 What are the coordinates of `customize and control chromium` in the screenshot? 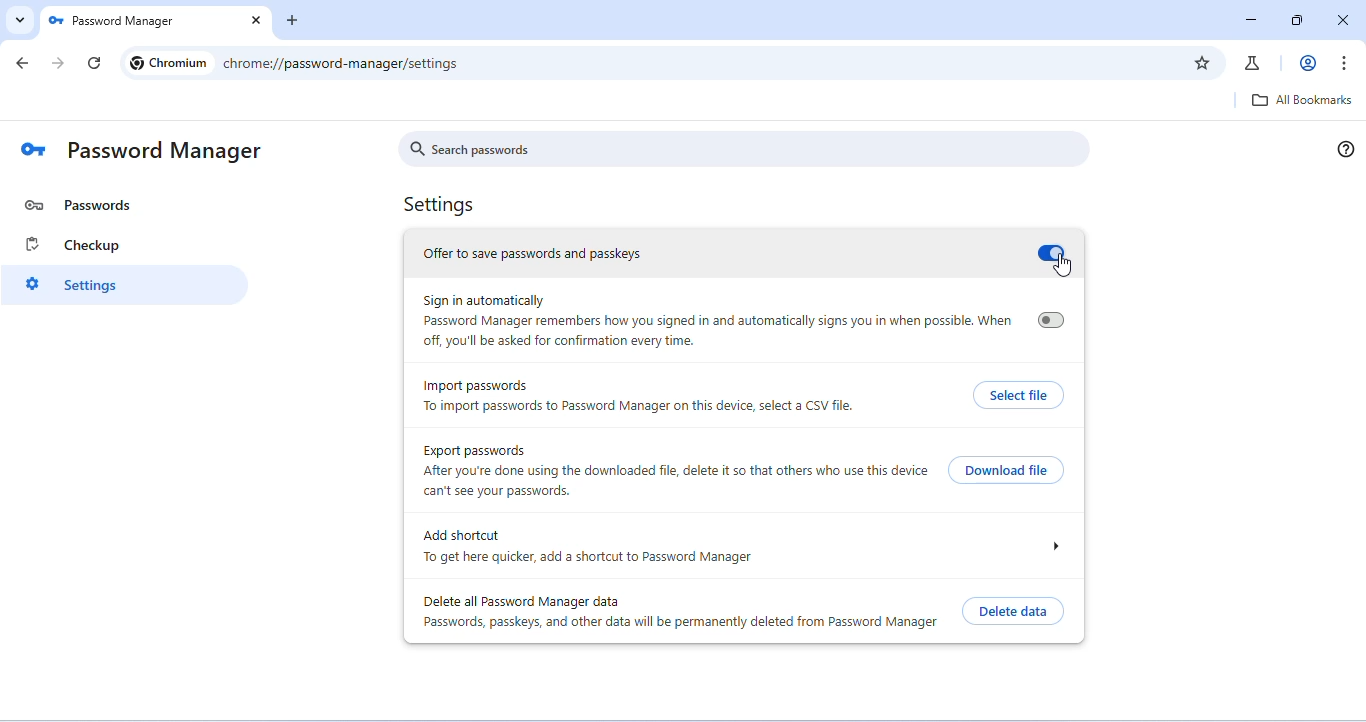 It's located at (1345, 64).